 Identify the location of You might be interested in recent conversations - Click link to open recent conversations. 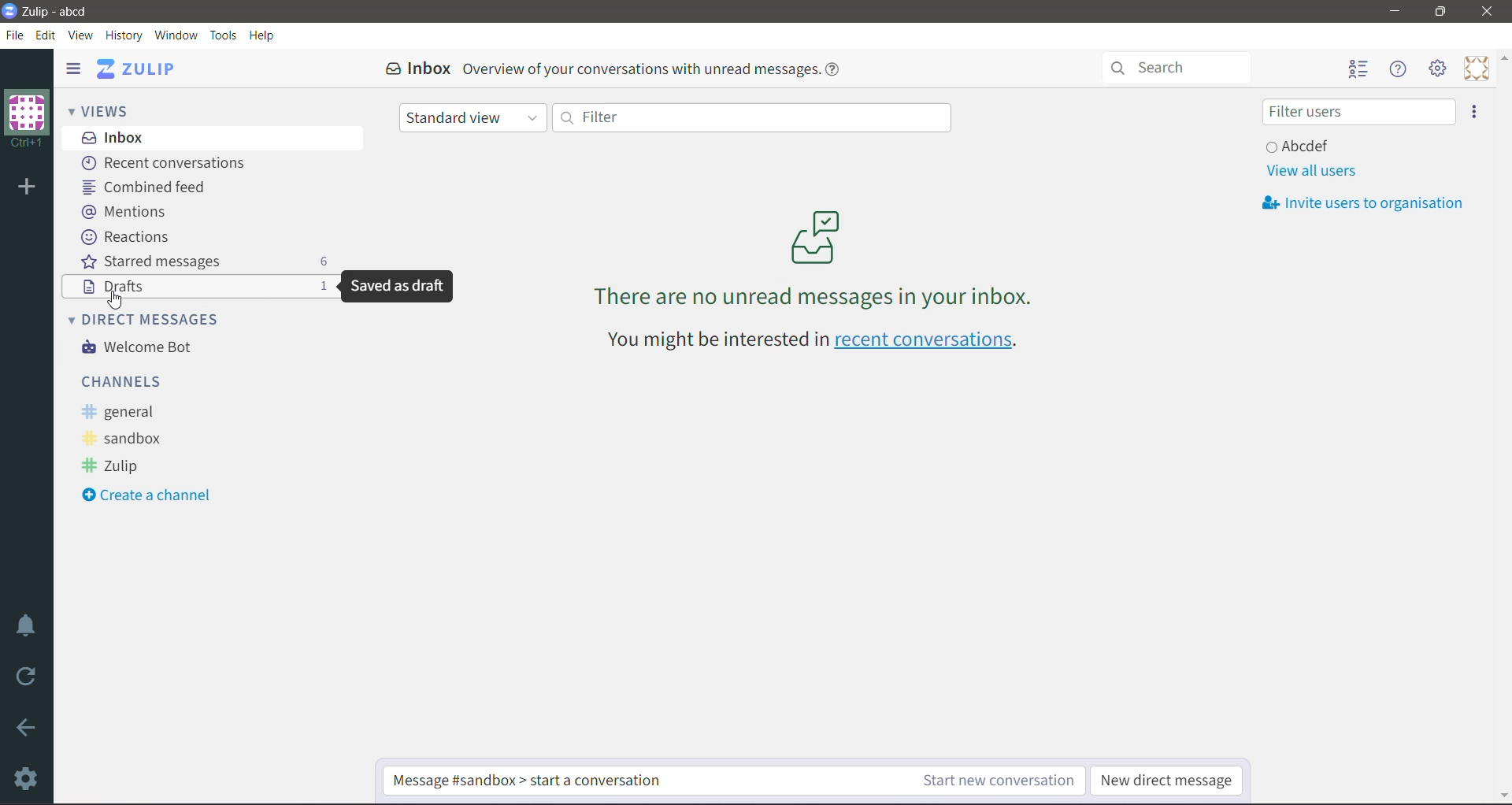
(817, 342).